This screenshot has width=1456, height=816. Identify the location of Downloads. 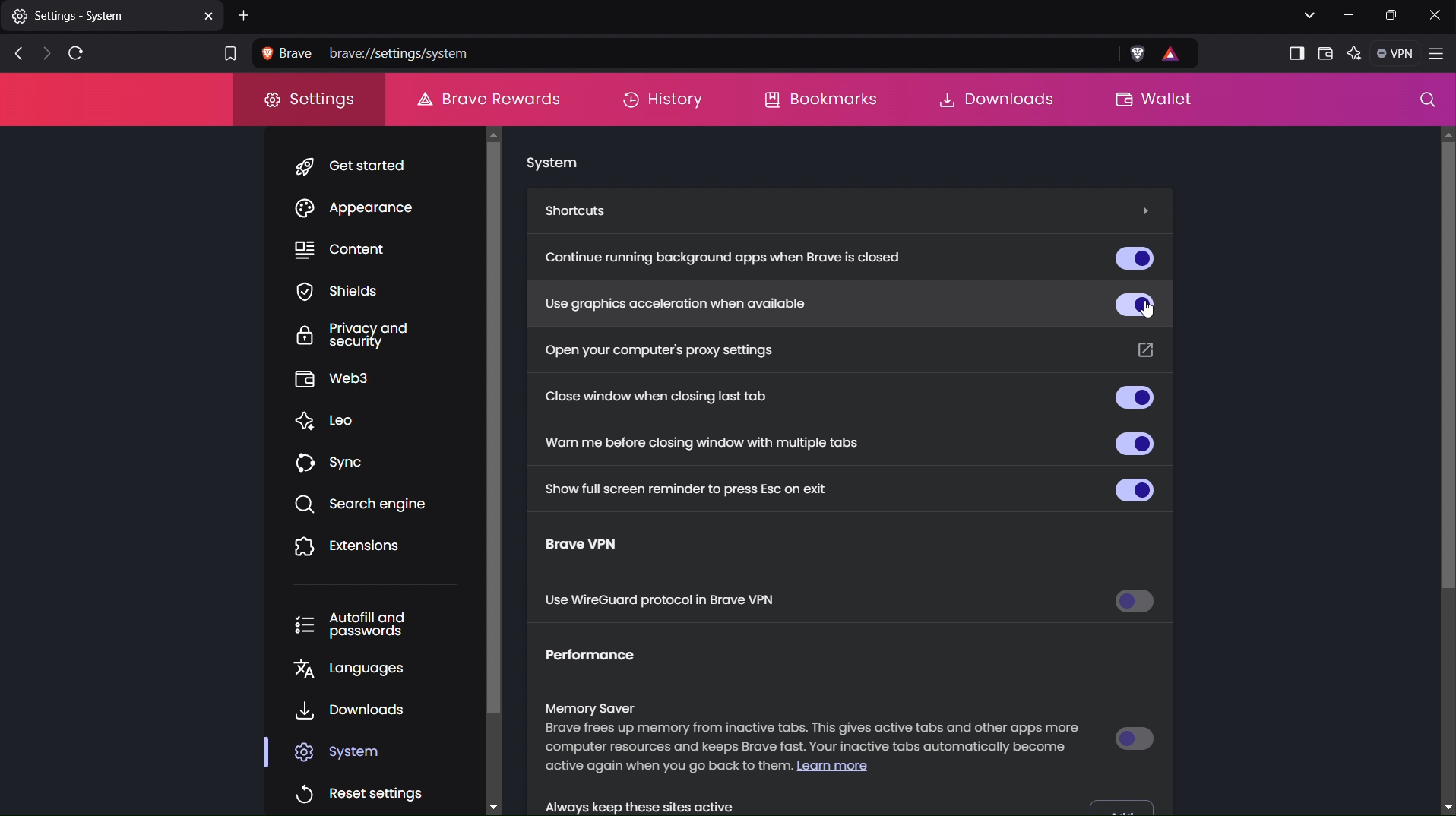
(993, 99).